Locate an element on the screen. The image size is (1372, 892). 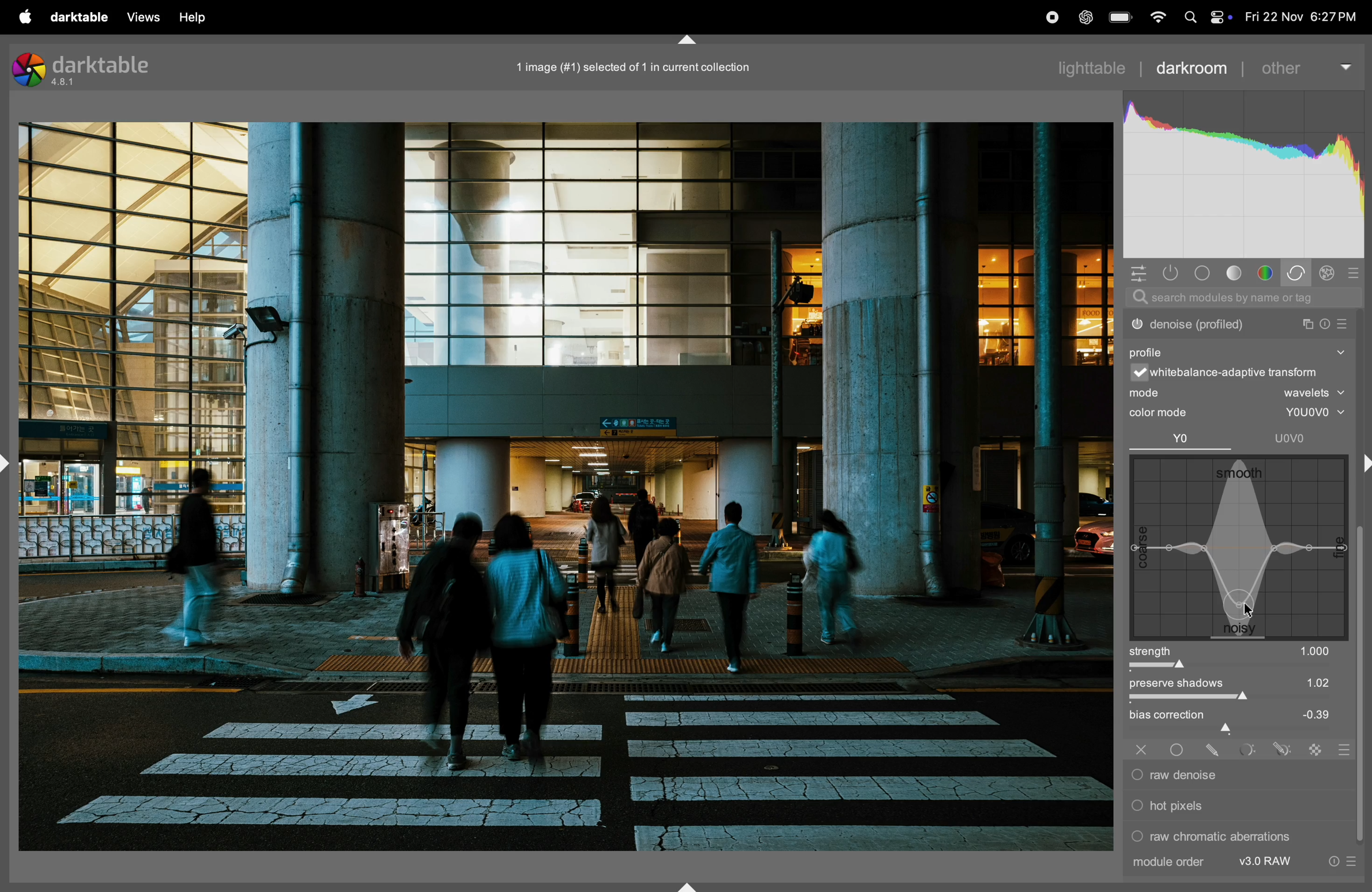
presets is located at coordinates (1342, 324).